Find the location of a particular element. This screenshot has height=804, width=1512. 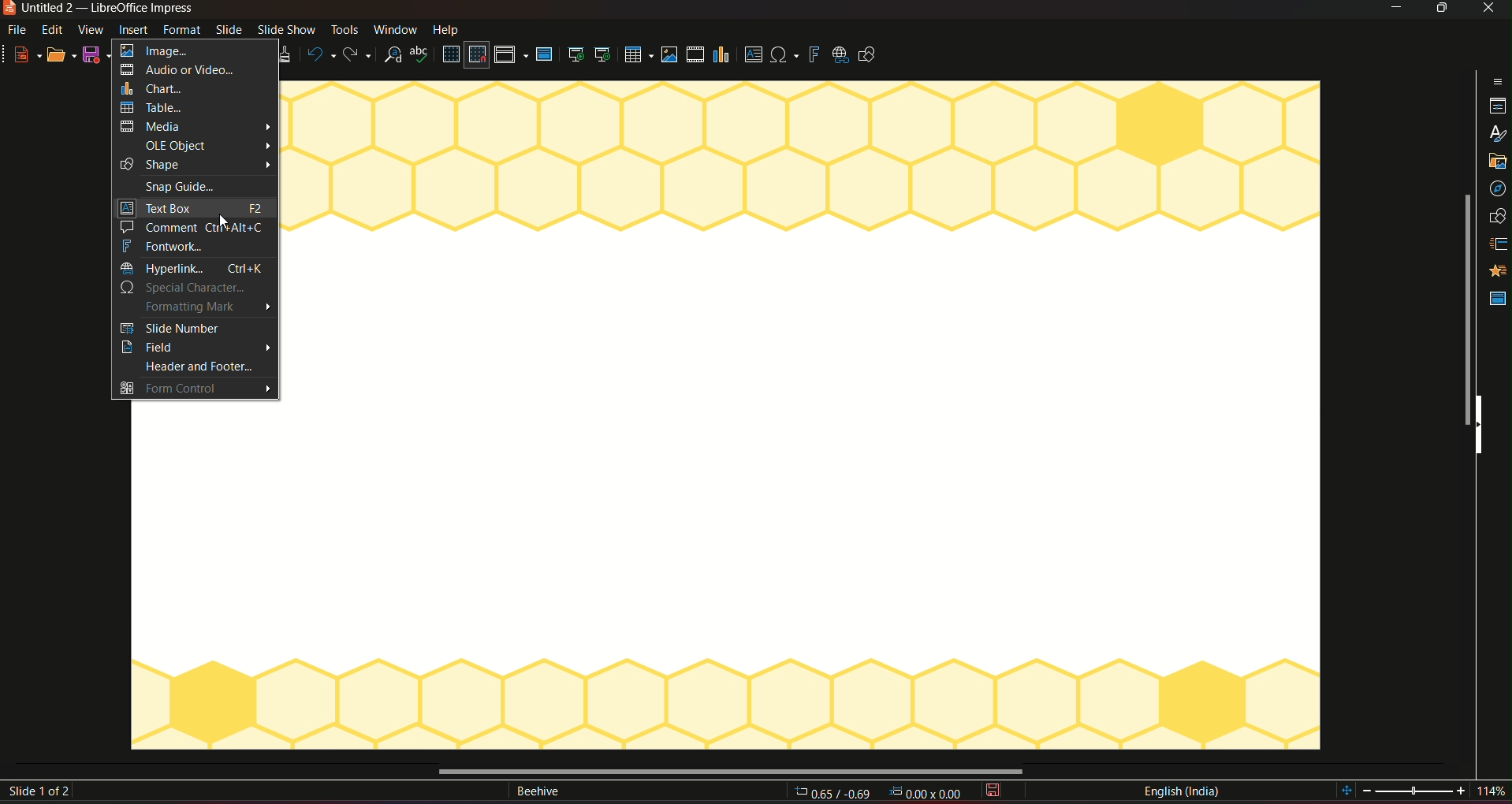

start from first slide is located at coordinates (575, 54).